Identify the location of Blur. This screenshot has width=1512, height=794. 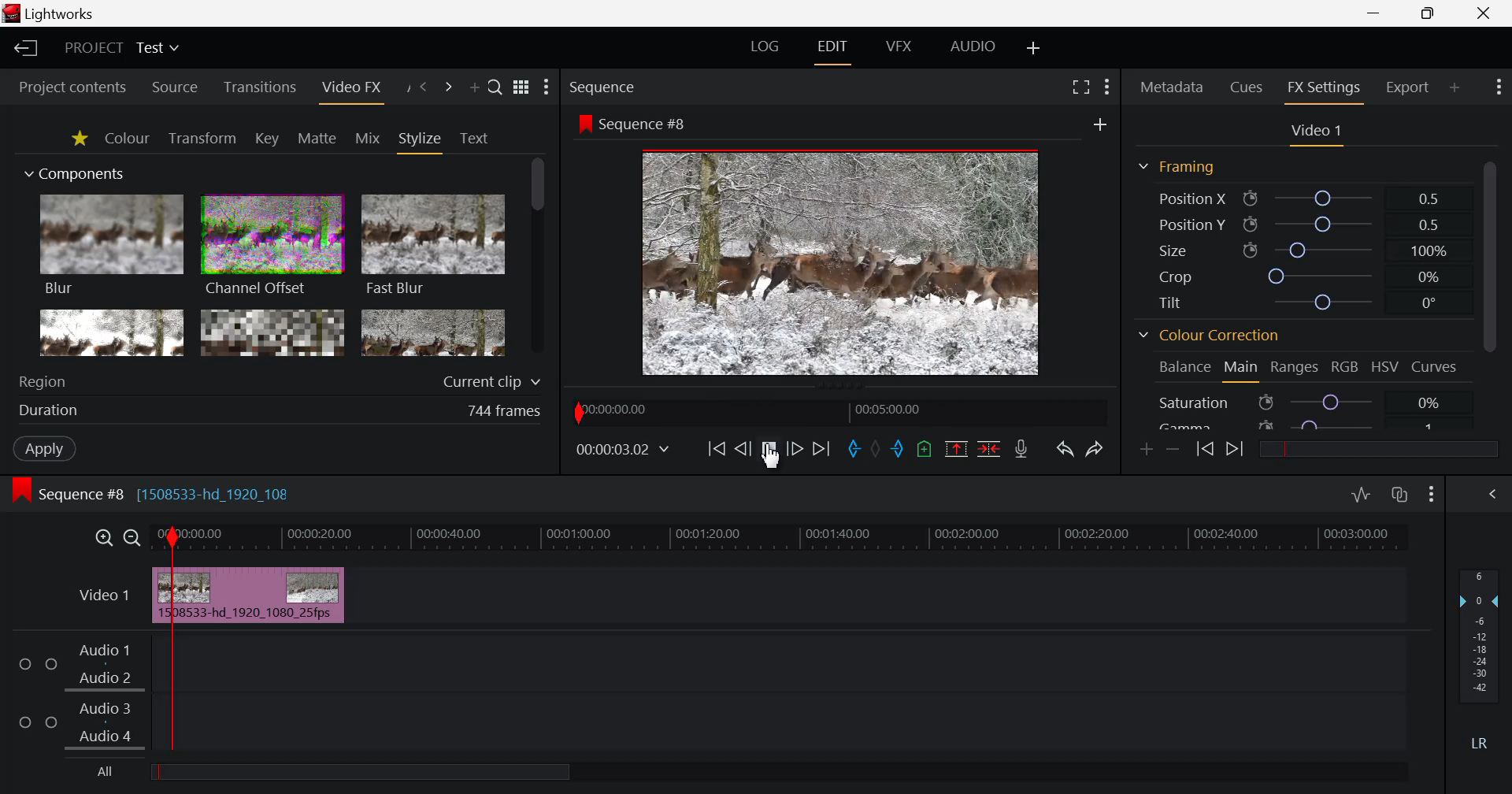
(113, 247).